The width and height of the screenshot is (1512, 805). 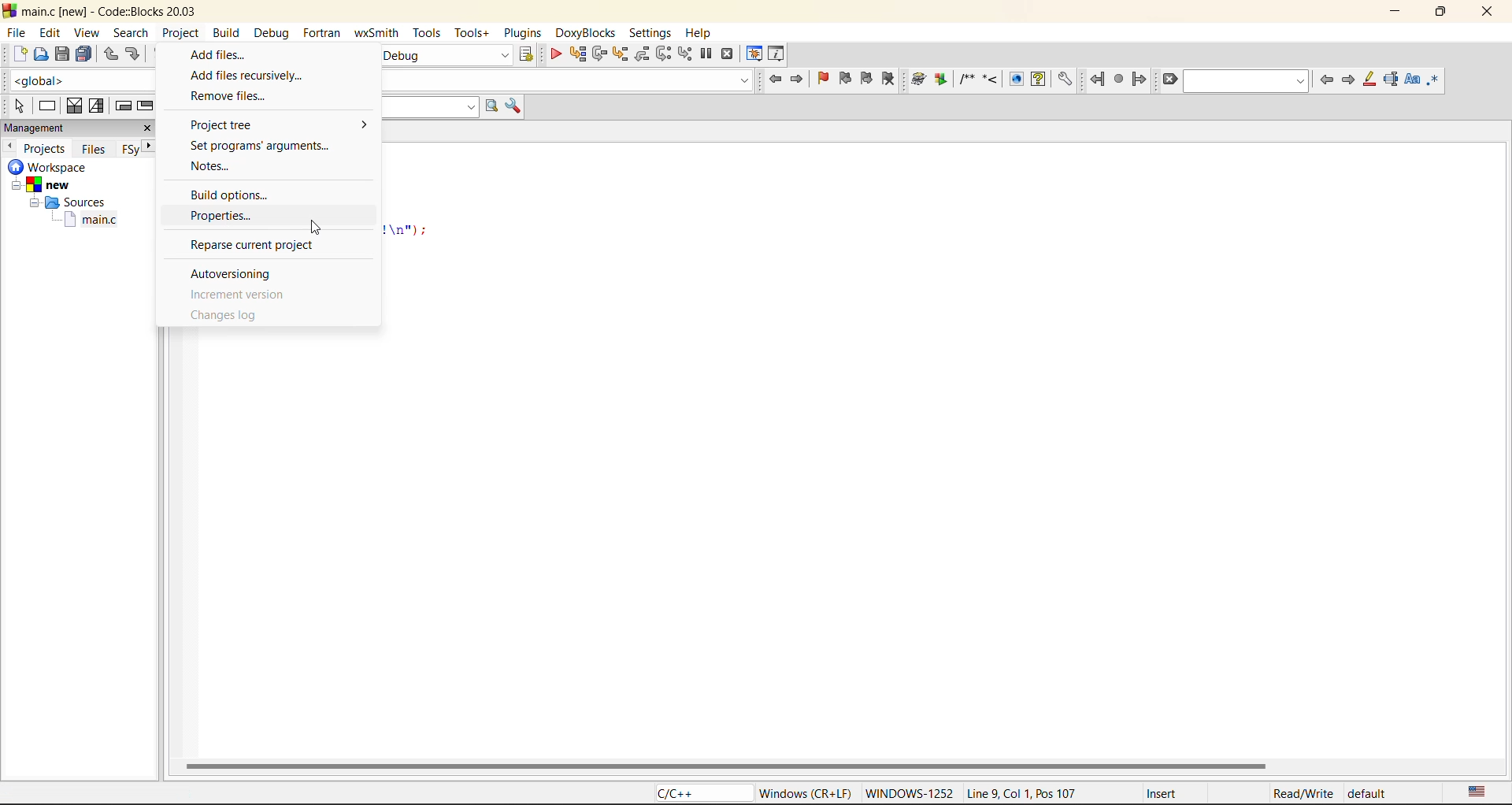 What do you see at coordinates (151, 146) in the screenshot?
I see `next` at bounding box center [151, 146].